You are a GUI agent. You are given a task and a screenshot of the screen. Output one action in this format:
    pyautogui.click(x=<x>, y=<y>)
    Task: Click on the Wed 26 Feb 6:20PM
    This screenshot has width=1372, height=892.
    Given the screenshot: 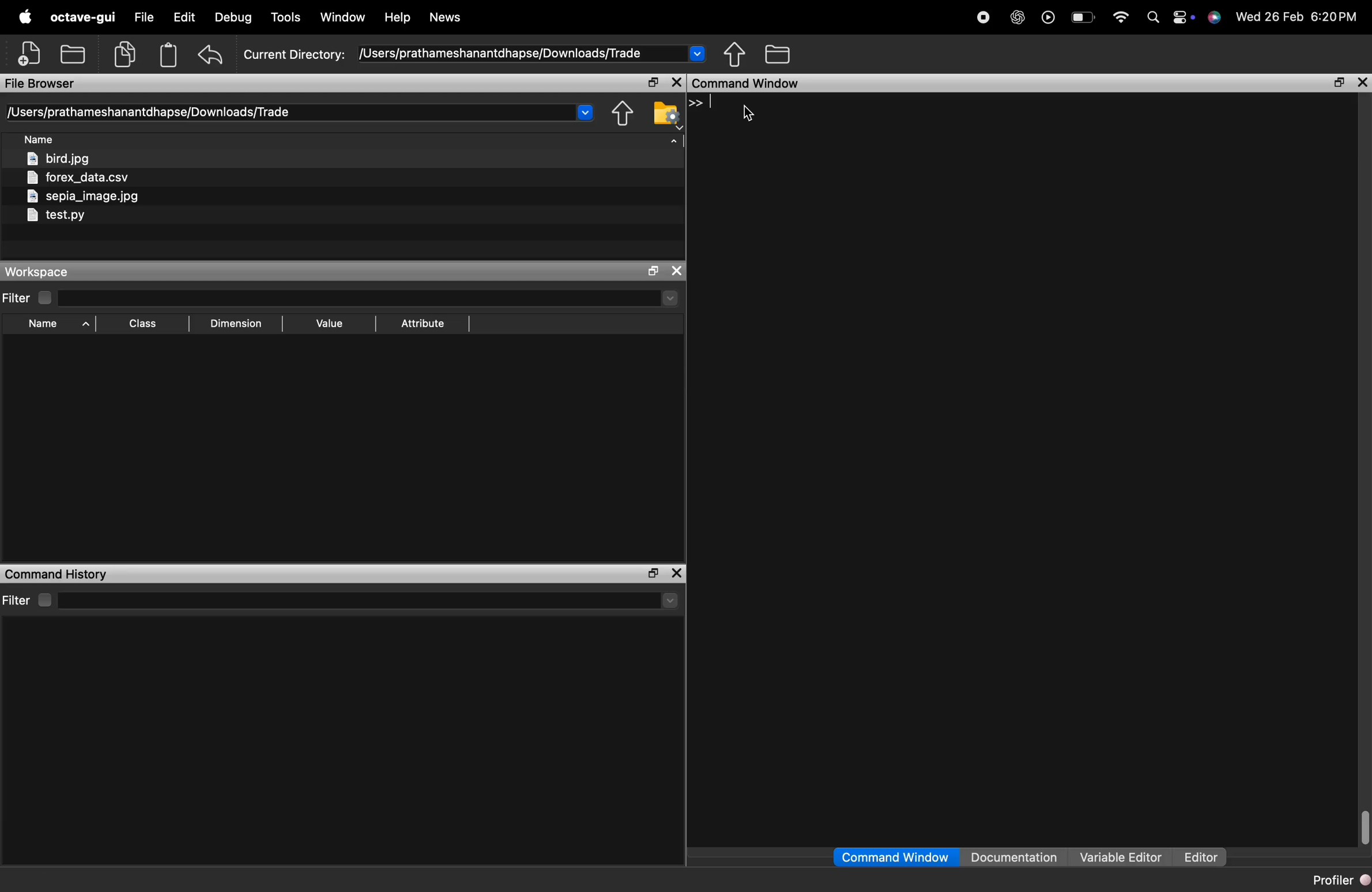 What is the action you would take?
    pyautogui.click(x=1299, y=16)
    